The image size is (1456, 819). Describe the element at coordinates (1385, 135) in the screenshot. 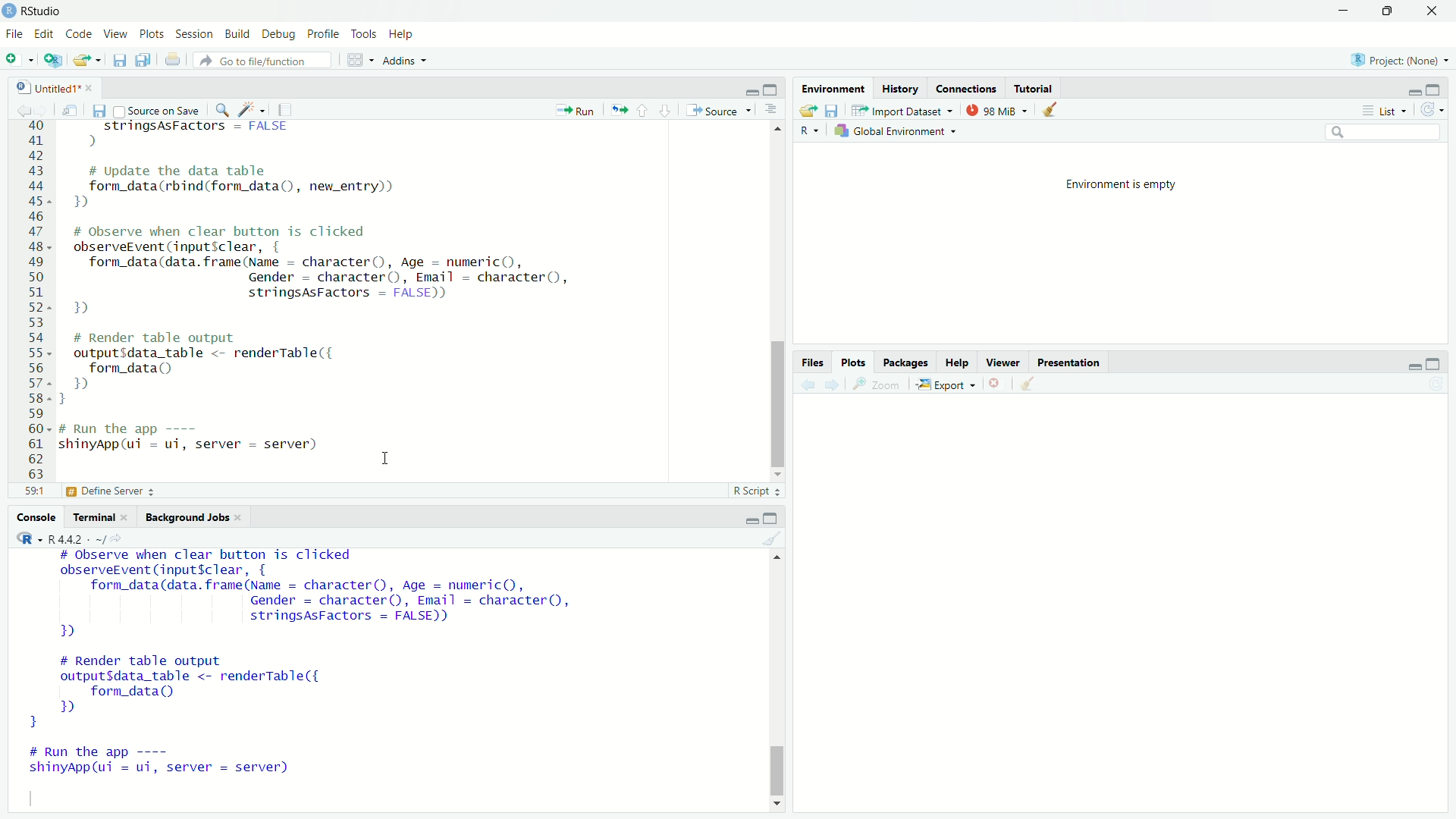

I see `search field` at that location.